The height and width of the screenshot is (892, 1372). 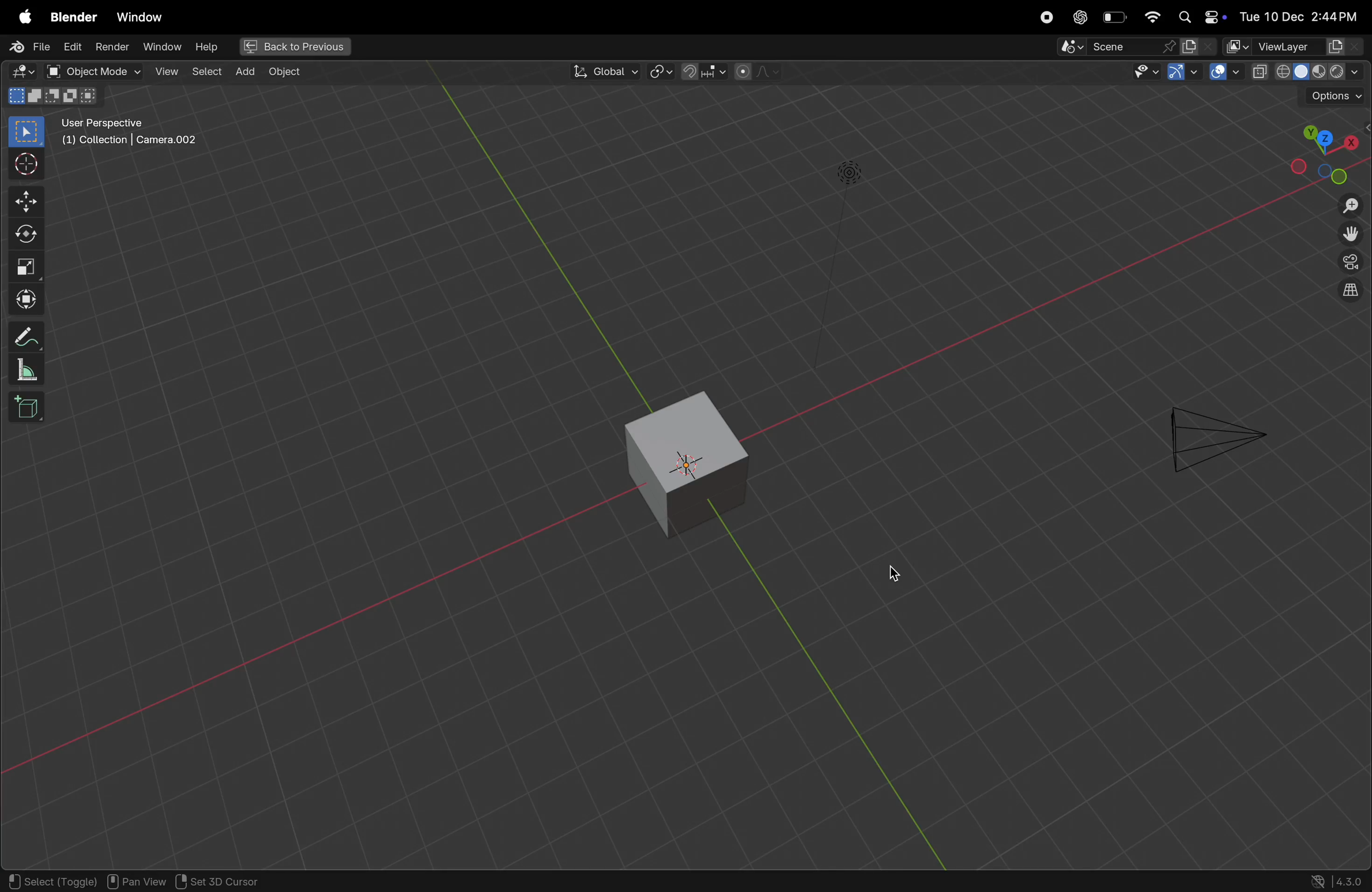 What do you see at coordinates (603, 72) in the screenshot?
I see `Global` at bounding box center [603, 72].